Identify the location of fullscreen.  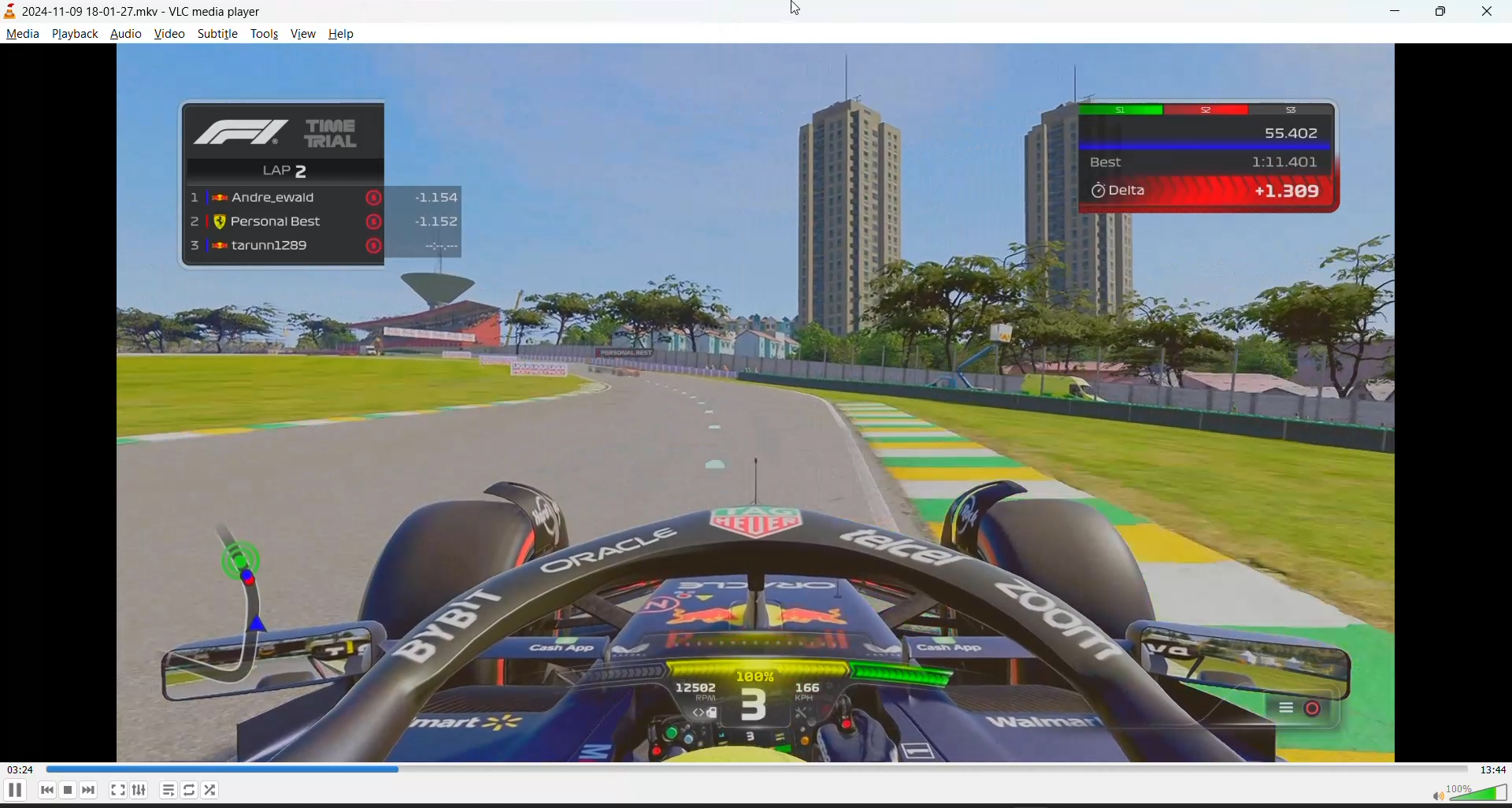
(117, 791).